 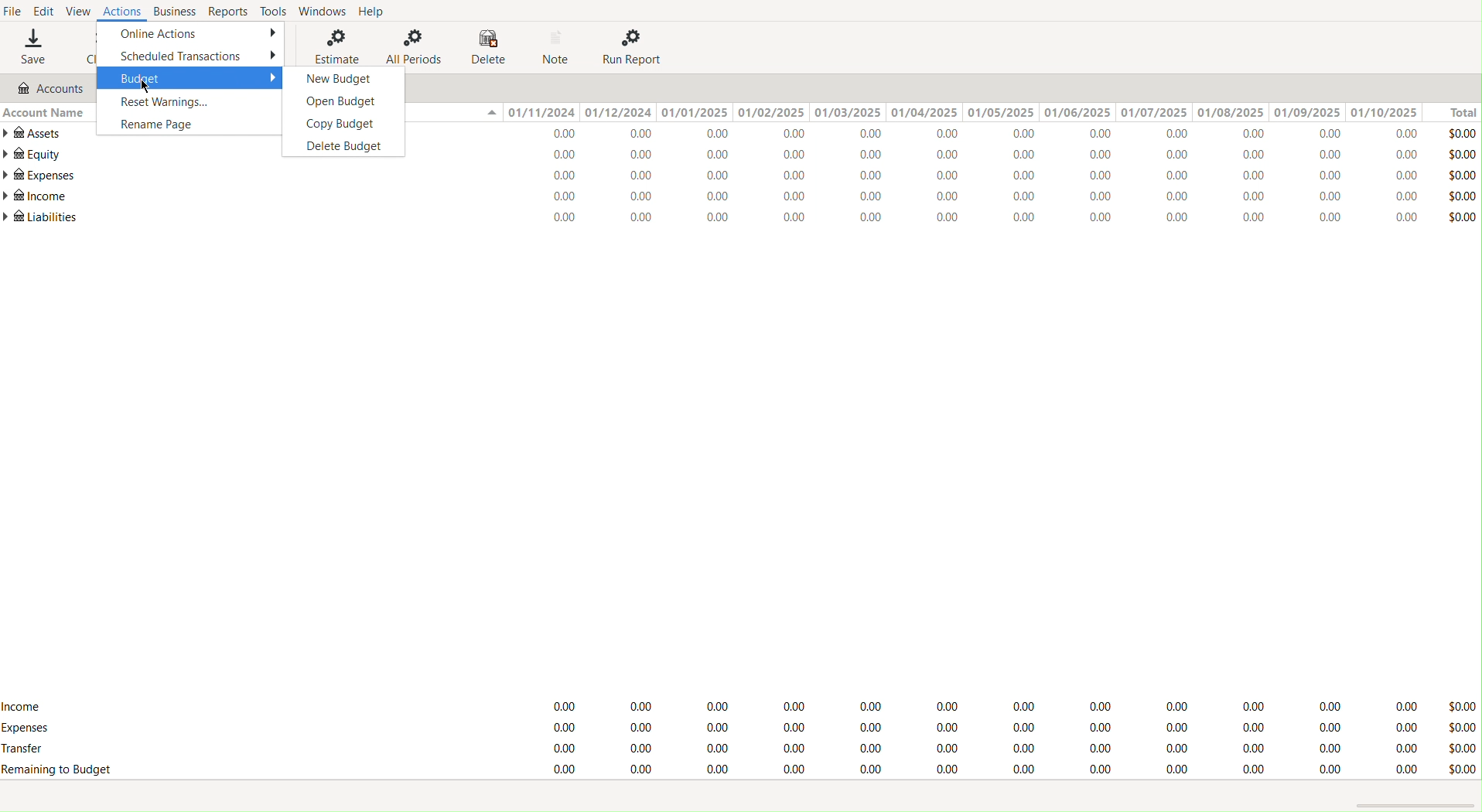 What do you see at coordinates (1460, 737) in the screenshot?
I see `Total Value` at bounding box center [1460, 737].